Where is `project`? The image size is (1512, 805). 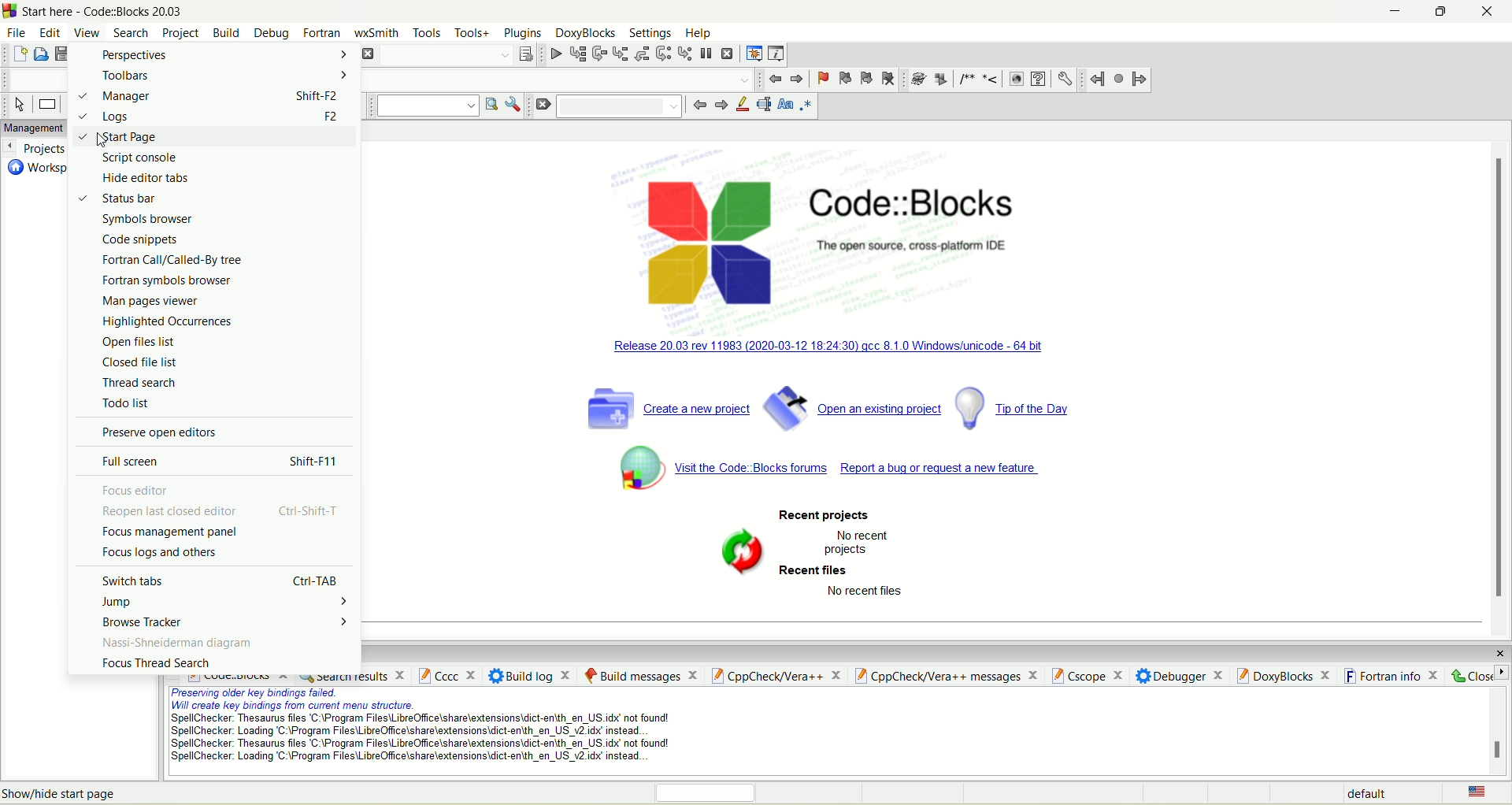 project is located at coordinates (180, 32).